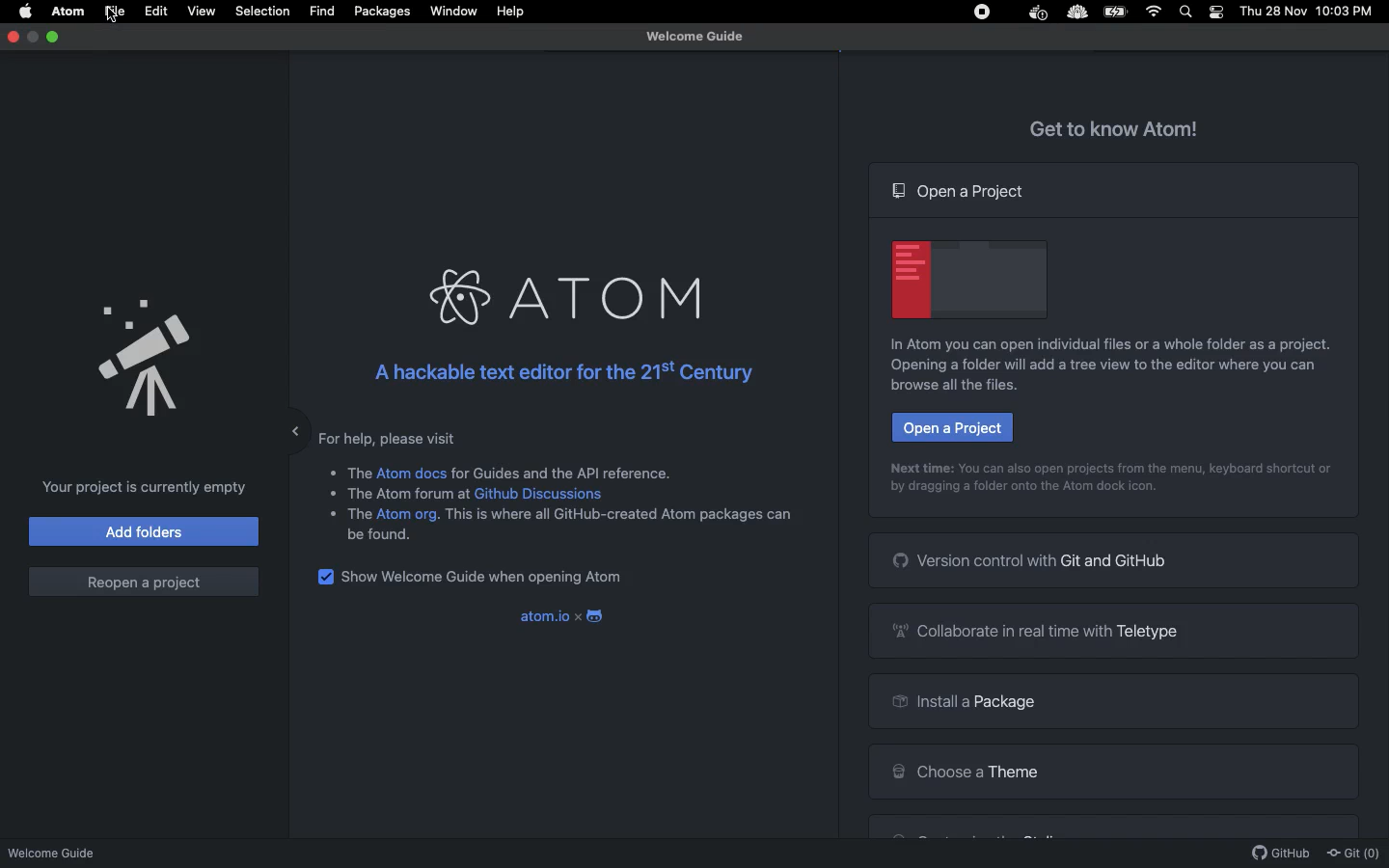 This screenshot has height=868, width=1389. What do you see at coordinates (14, 36) in the screenshot?
I see `Close` at bounding box center [14, 36].